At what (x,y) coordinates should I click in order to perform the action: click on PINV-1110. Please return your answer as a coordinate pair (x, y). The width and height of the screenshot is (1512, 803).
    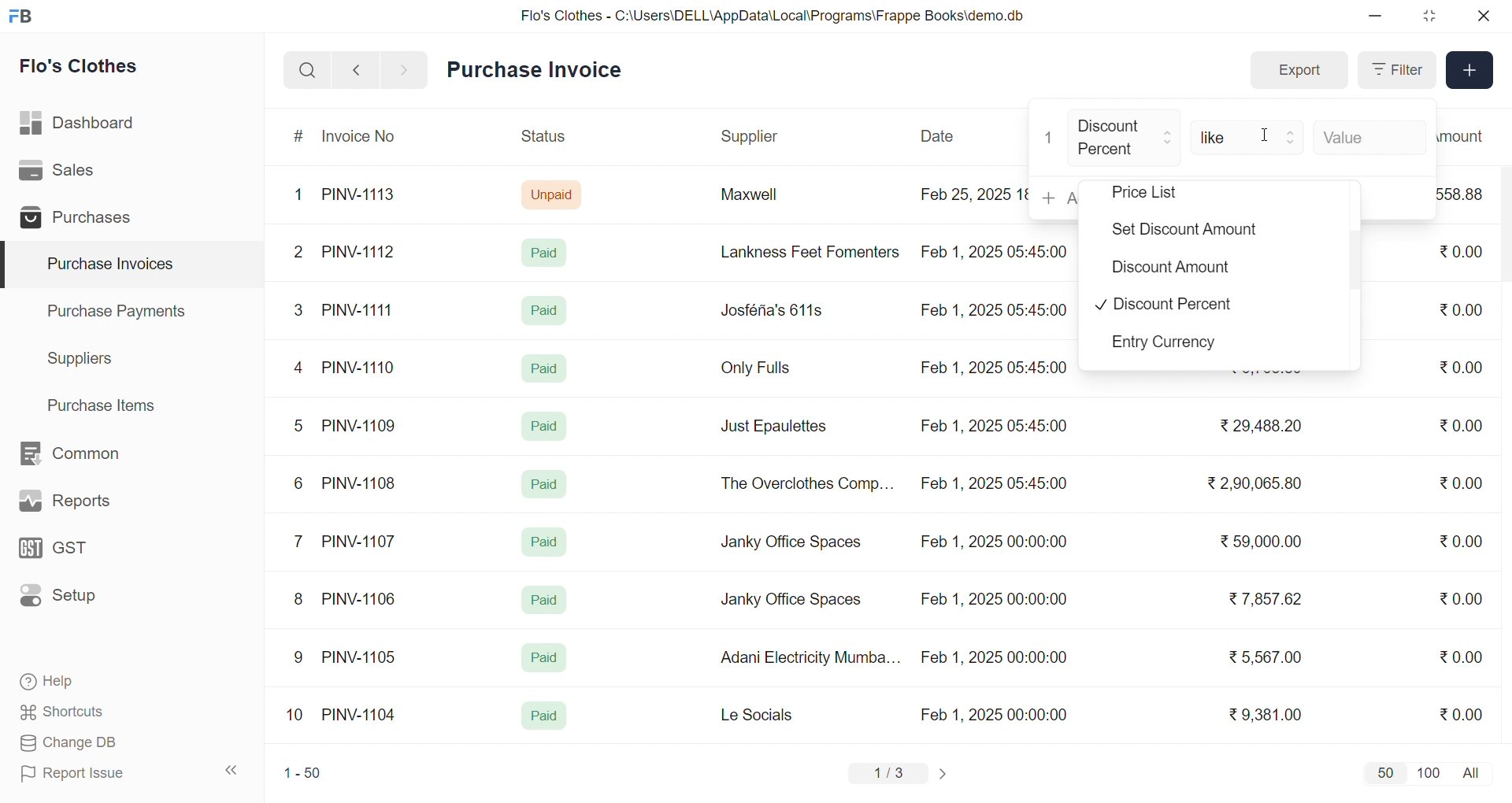
    Looking at the image, I should click on (360, 367).